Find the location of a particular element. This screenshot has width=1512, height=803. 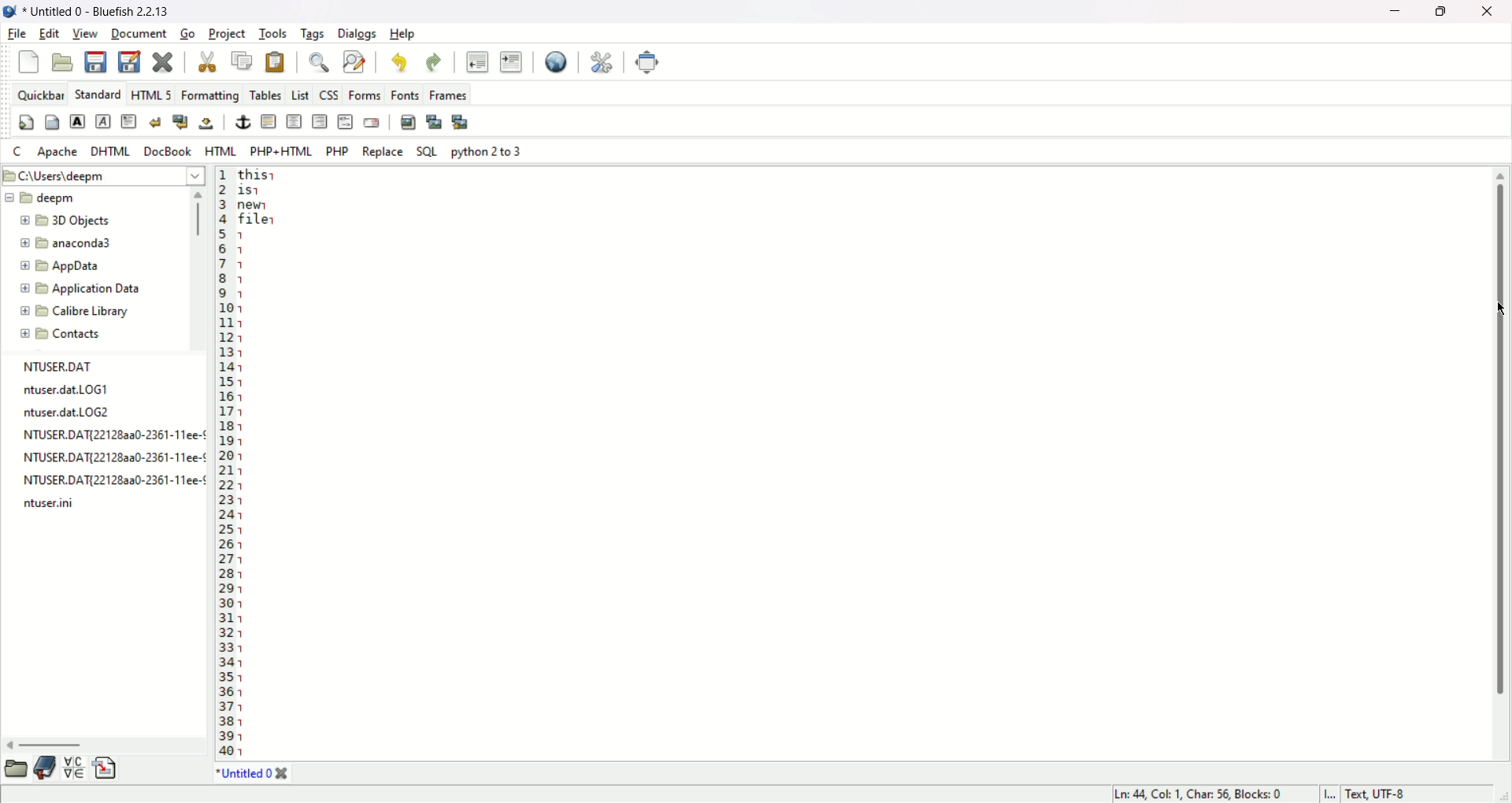

Python 2 to 3 is located at coordinates (487, 151).